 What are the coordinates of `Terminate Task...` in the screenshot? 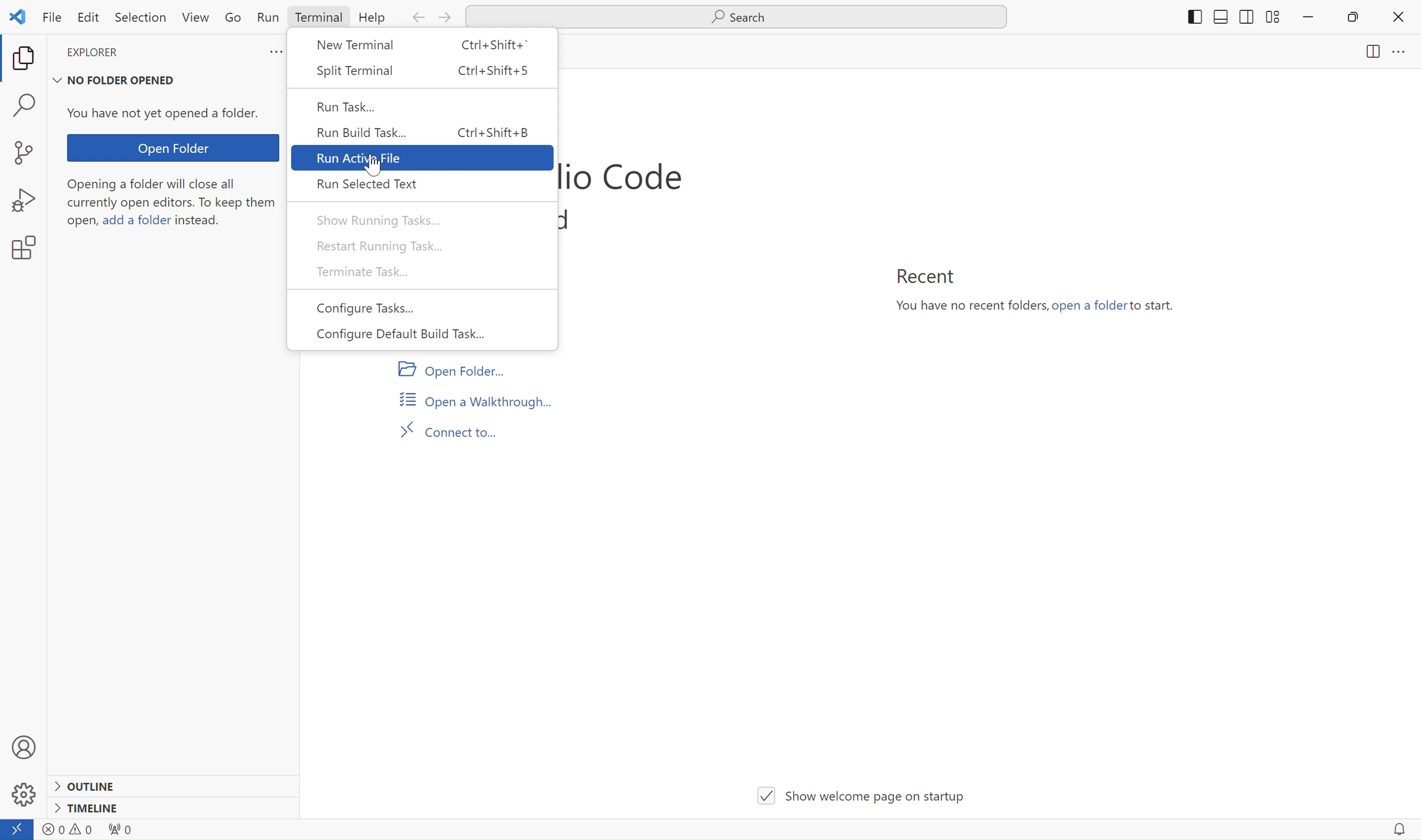 It's located at (421, 272).